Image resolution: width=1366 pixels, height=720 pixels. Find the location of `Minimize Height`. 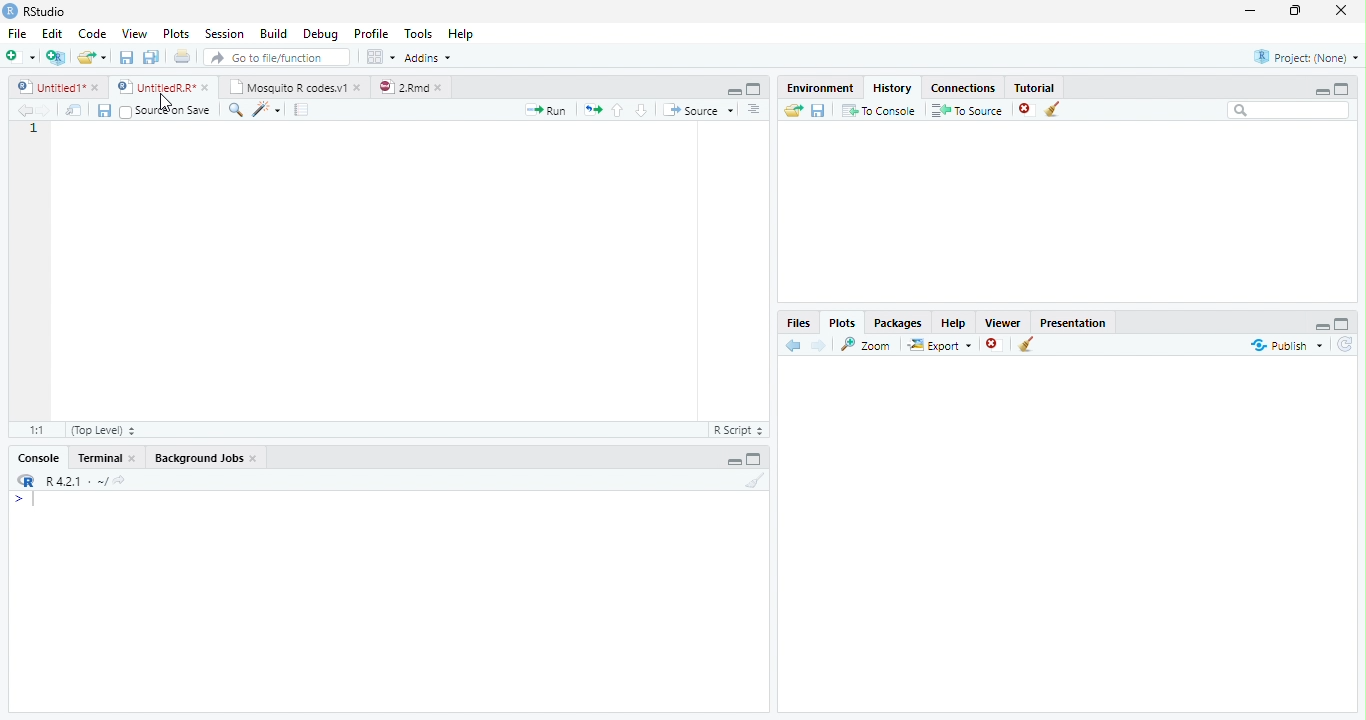

Minimize Height is located at coordinates (1321, 91).